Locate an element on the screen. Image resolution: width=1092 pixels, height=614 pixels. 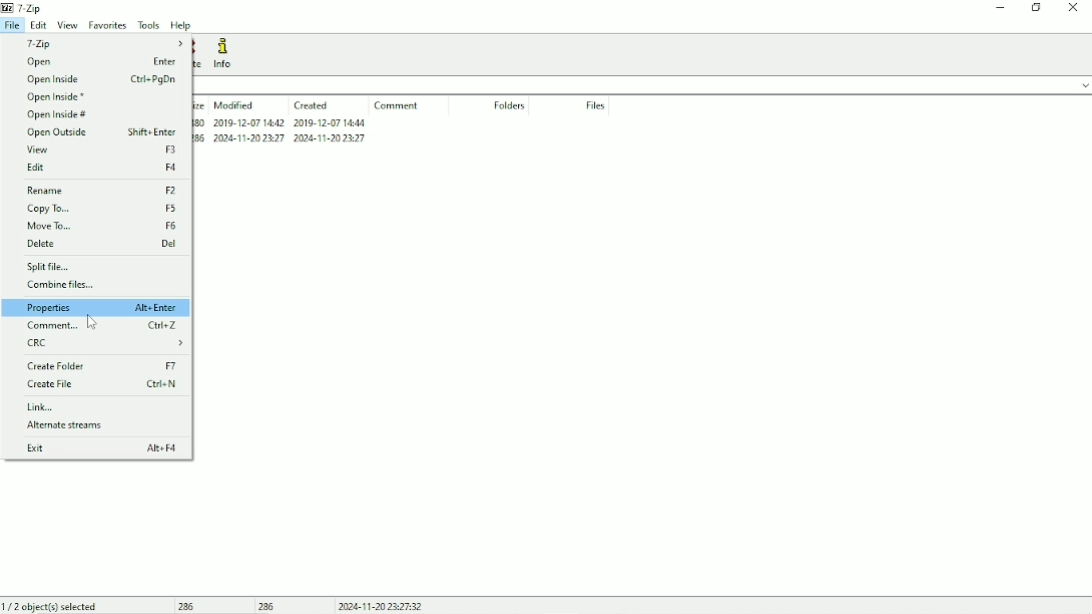
Minimize is located at coordinates (1001, 10).